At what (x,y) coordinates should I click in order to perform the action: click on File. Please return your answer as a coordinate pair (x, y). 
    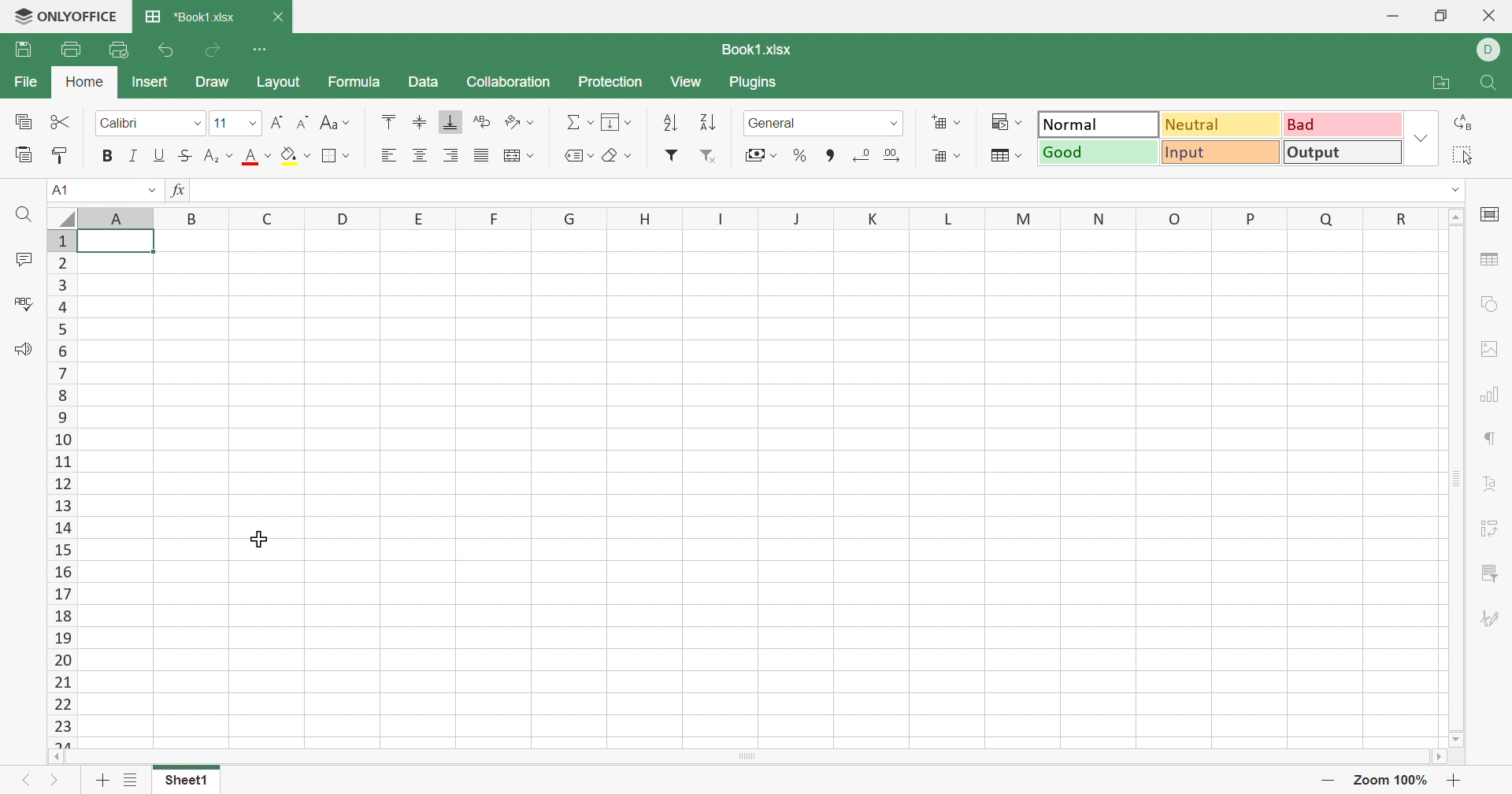
    Looking at the image, I should click on (24, 50).